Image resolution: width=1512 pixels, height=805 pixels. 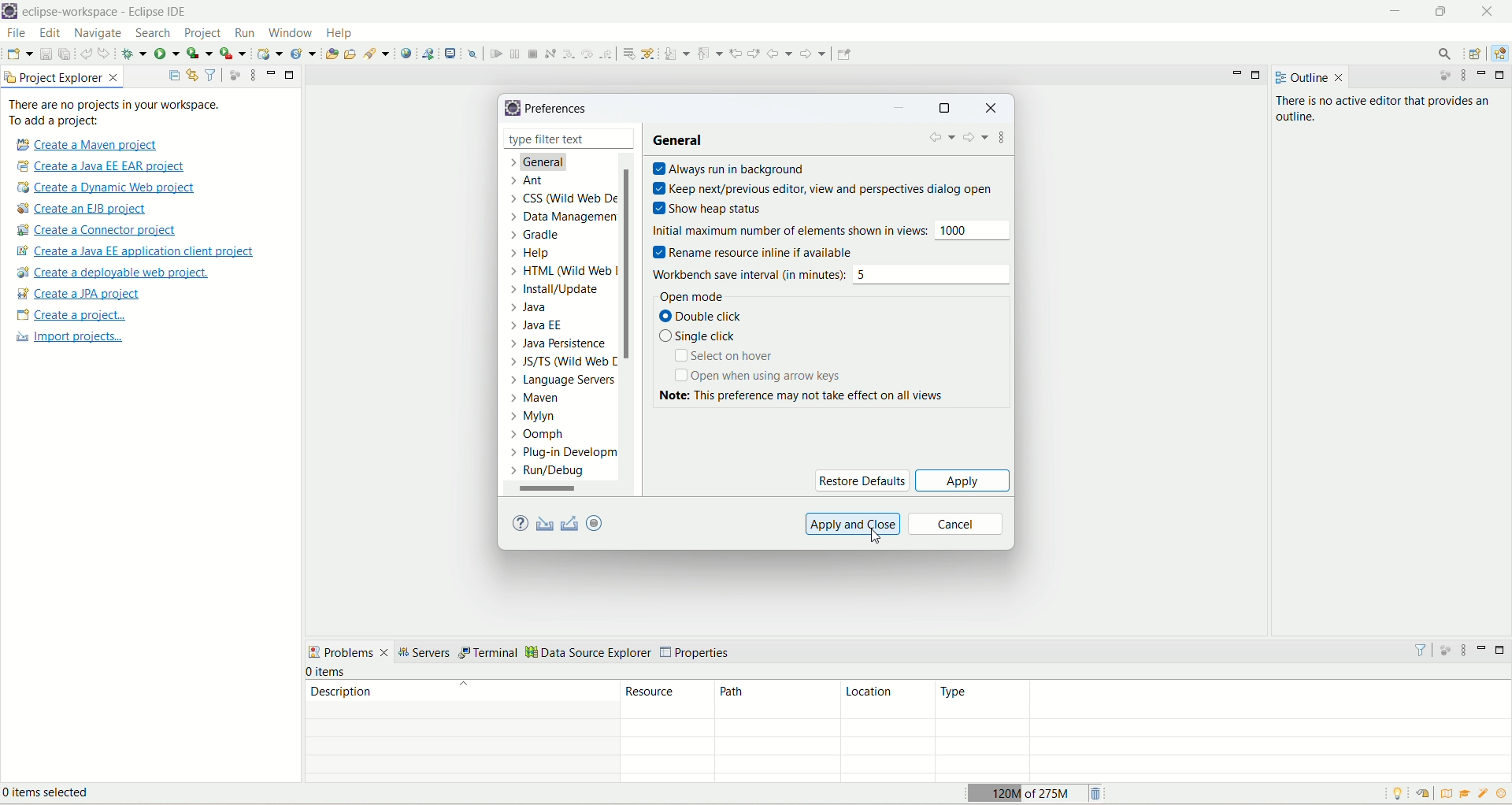 I want to click on tip of the day, so click(x=1502, y=793).